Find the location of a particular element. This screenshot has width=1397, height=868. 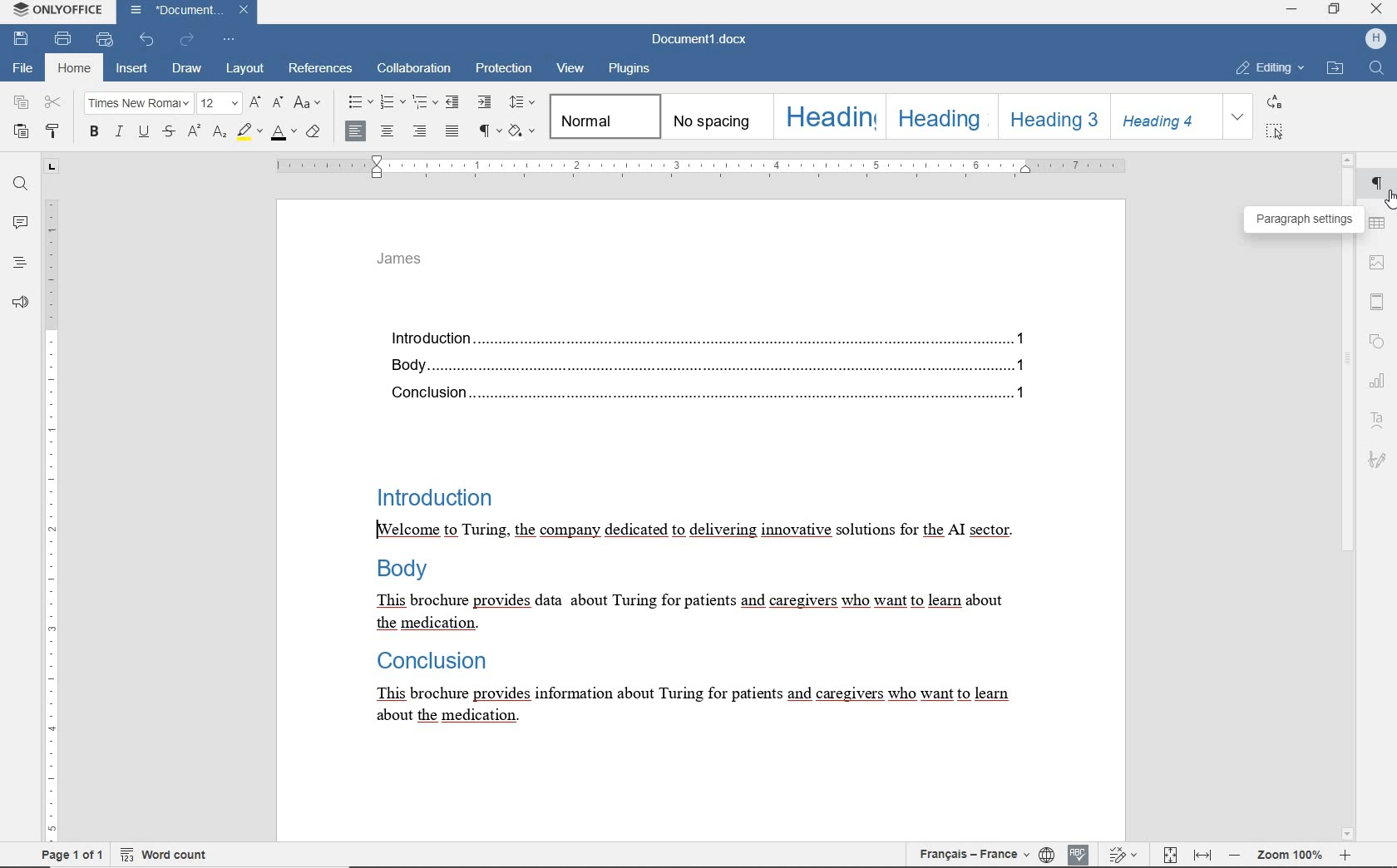

open file location is located at coordinates (1335, 70).